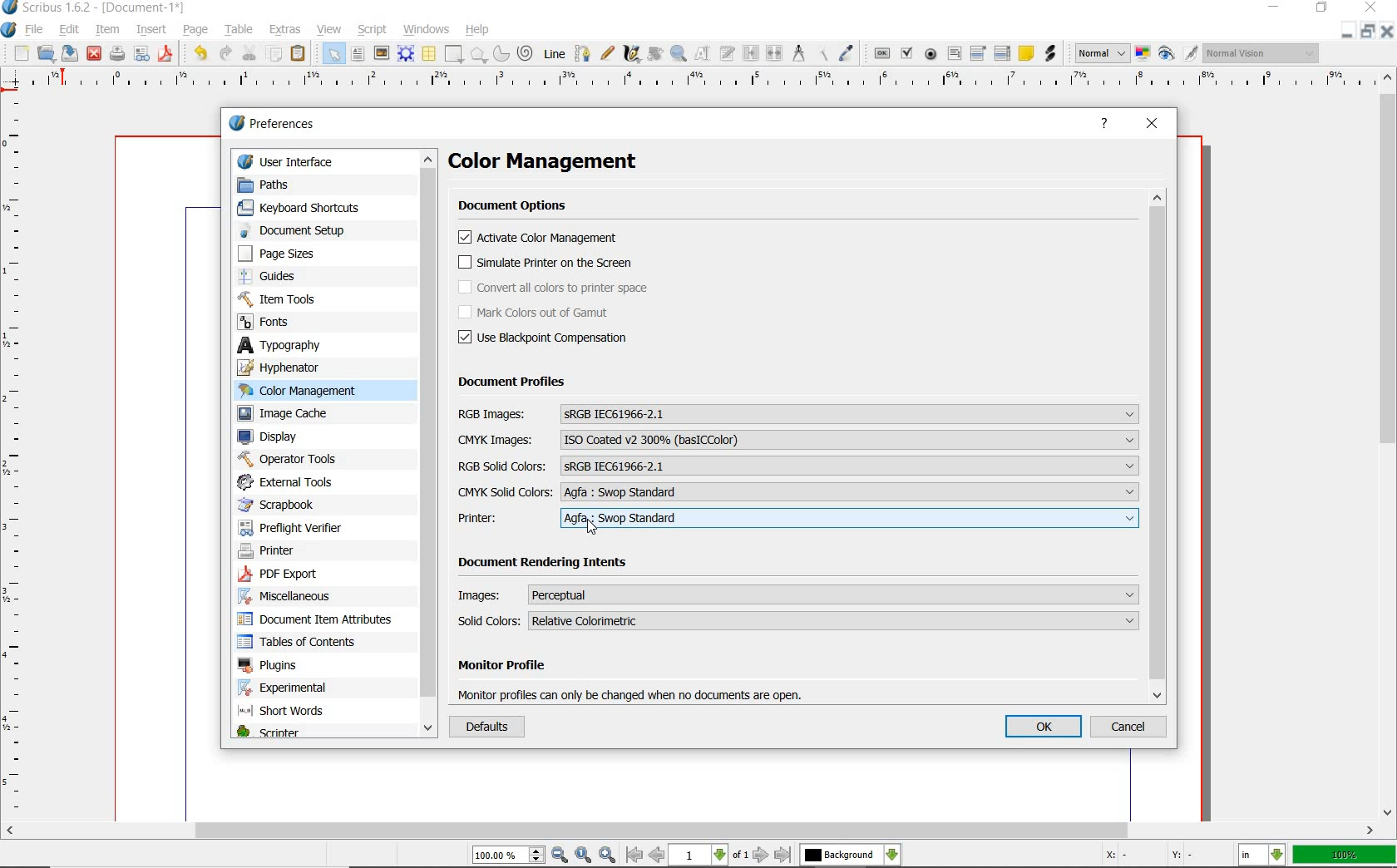 The height and width of the screenshot is (868, 1397). What do you see at coordinates (1153, 125) in the screenshot?
I see `CLOSE` at bounding box center [1153, 125].